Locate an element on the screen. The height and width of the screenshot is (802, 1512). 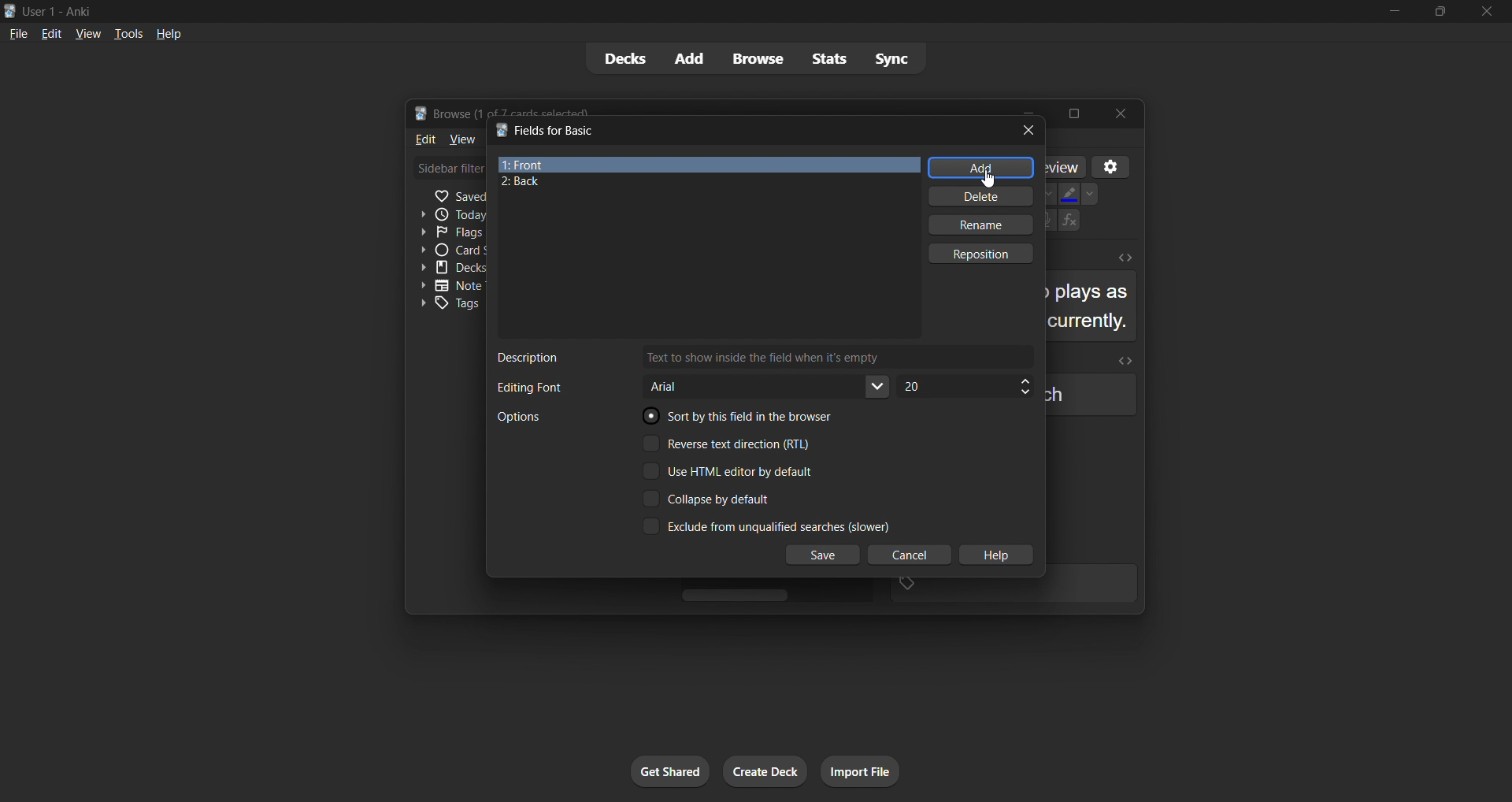
decks is located at coordinates (624, 58).